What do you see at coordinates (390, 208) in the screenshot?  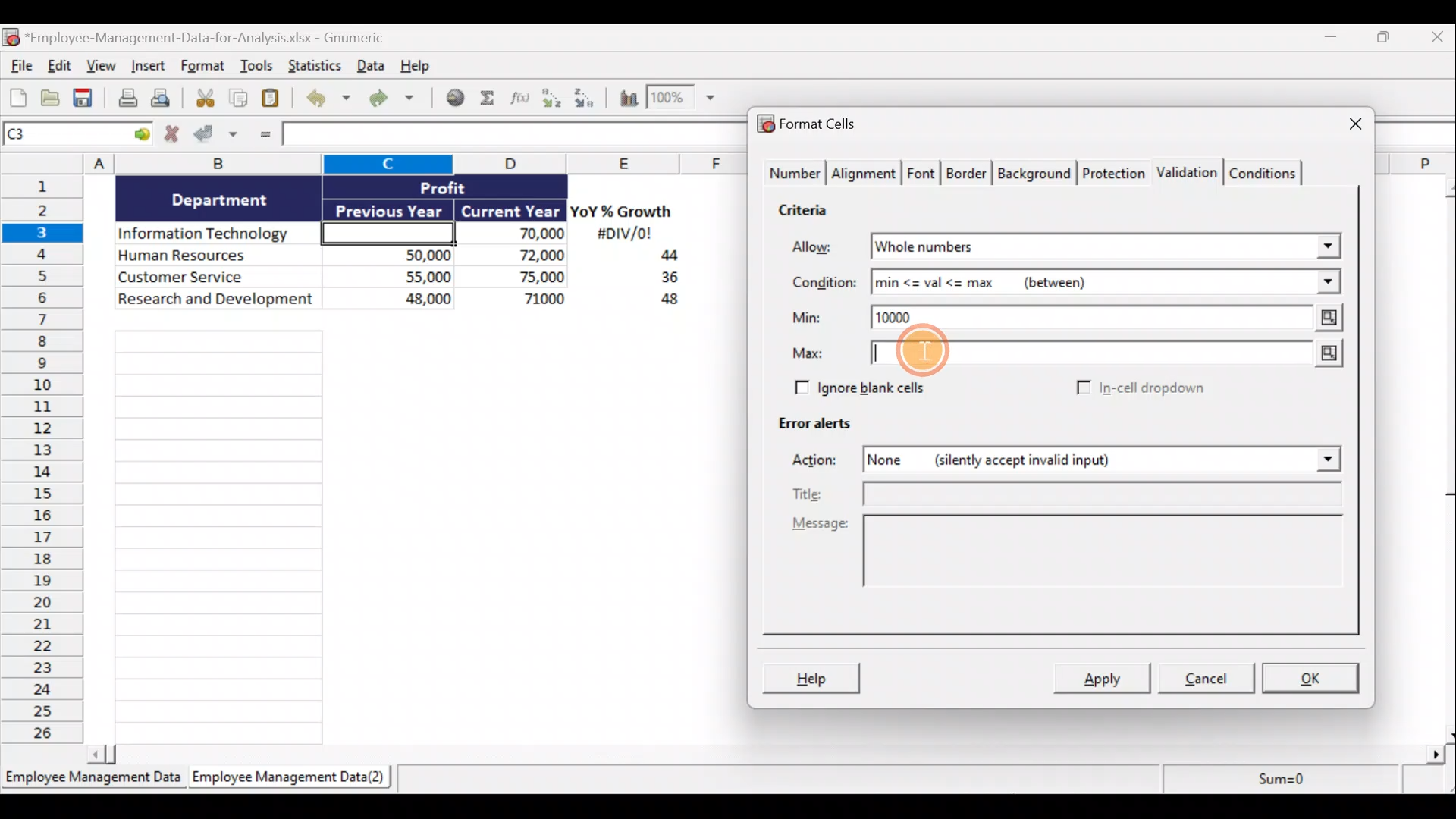 I see `Previous Year` at bounding box center [390, 208].